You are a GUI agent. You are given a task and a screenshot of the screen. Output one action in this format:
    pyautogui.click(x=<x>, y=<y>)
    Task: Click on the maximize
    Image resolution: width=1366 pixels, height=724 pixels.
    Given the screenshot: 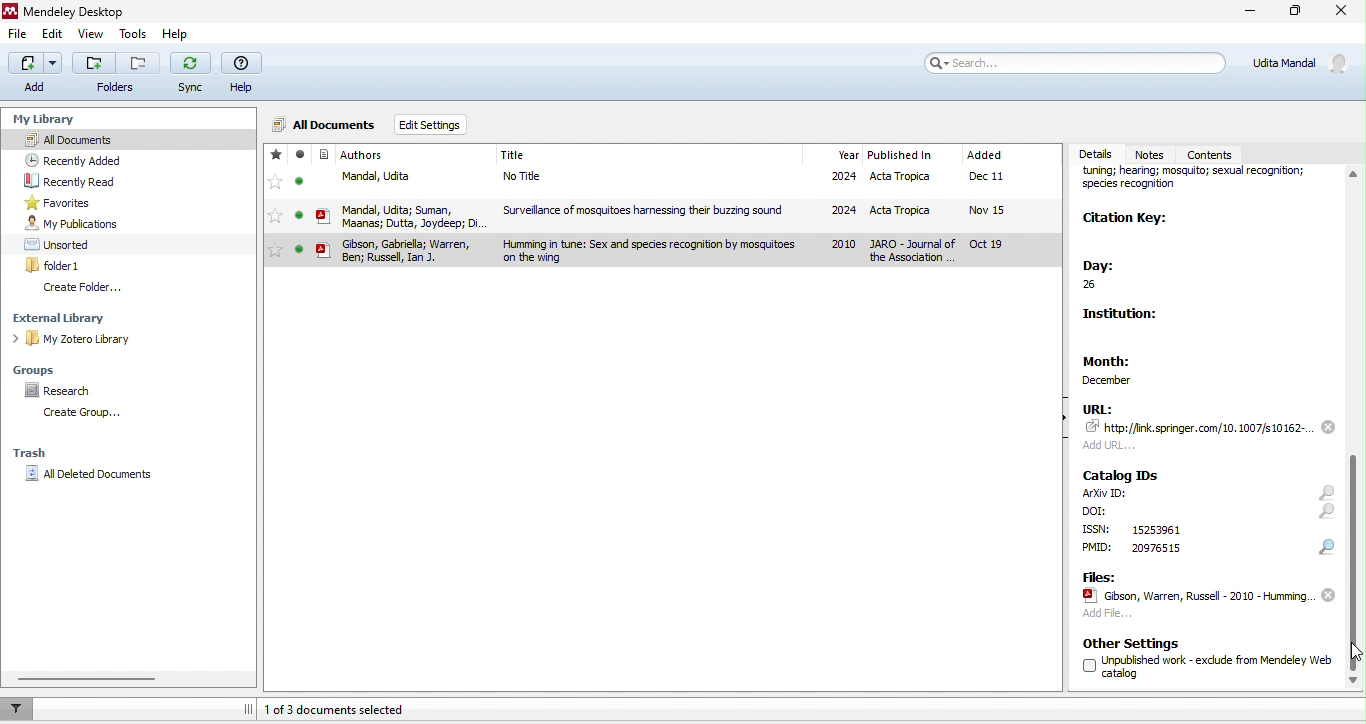 What is the action you would take?
    pyautogui.click(x=1295, y=14)
    